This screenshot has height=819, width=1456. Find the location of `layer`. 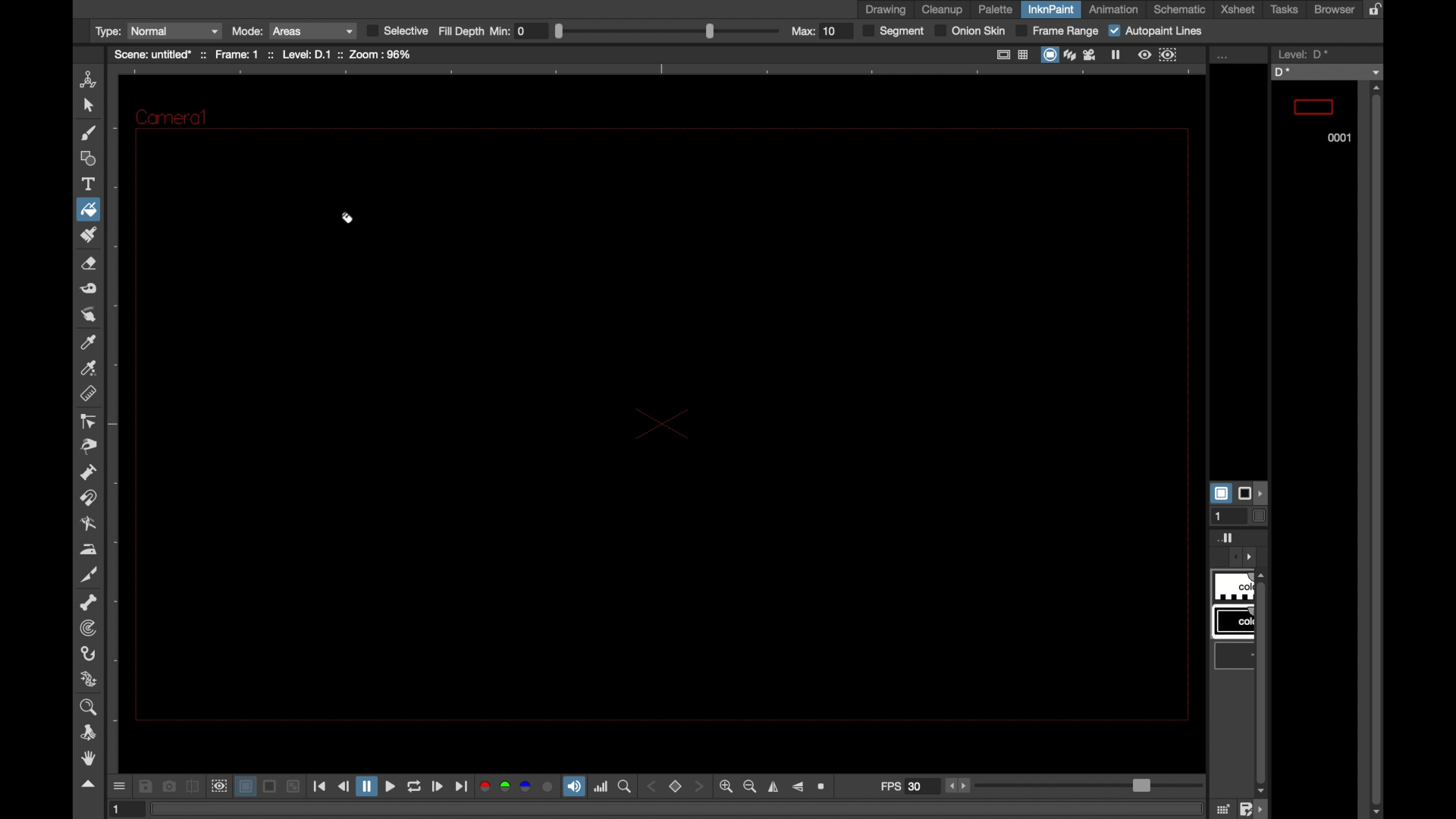

layer is located at coordinates (246, 786).